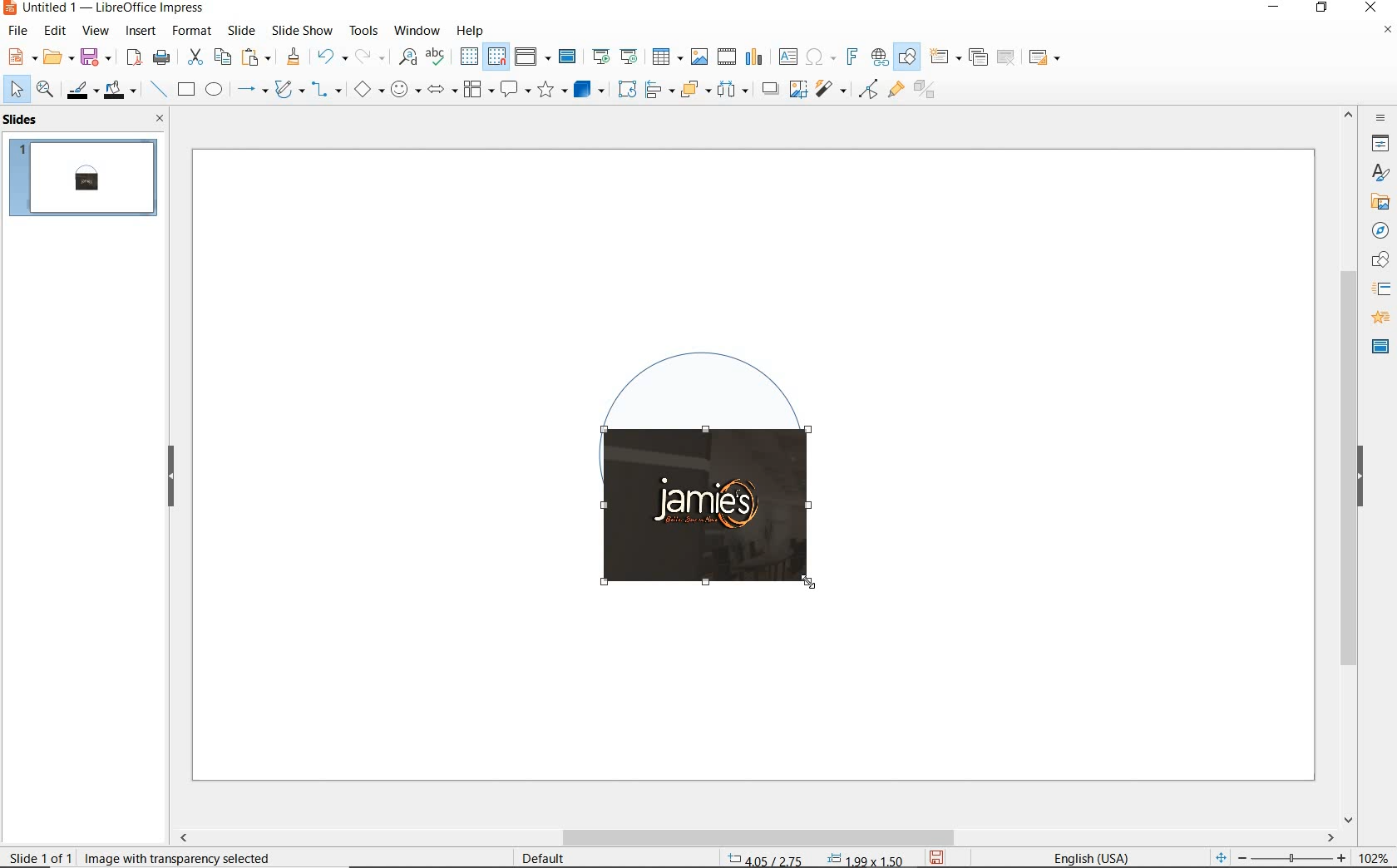 The image size is (1397, 868). I want to click on callout shapes, so click(512, 91).